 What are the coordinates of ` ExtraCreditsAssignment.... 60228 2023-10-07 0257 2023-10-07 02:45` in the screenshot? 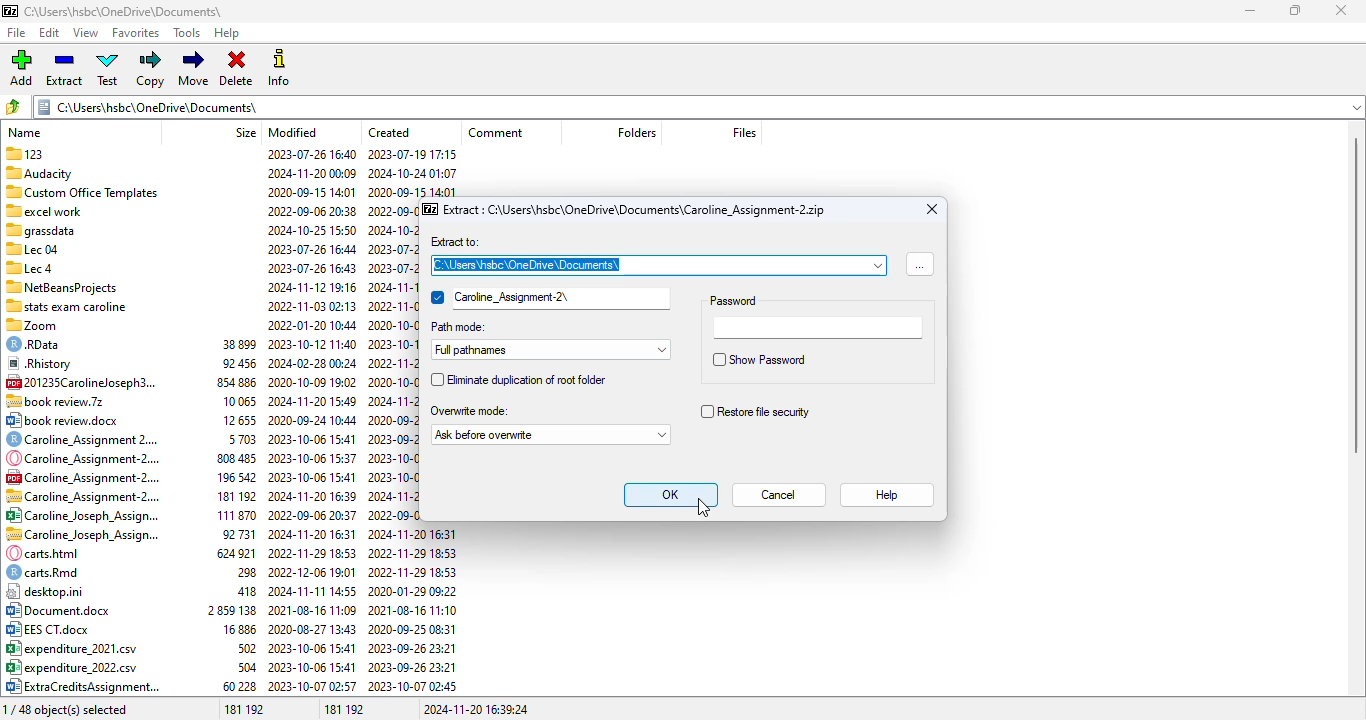 It's located at (231, 687).